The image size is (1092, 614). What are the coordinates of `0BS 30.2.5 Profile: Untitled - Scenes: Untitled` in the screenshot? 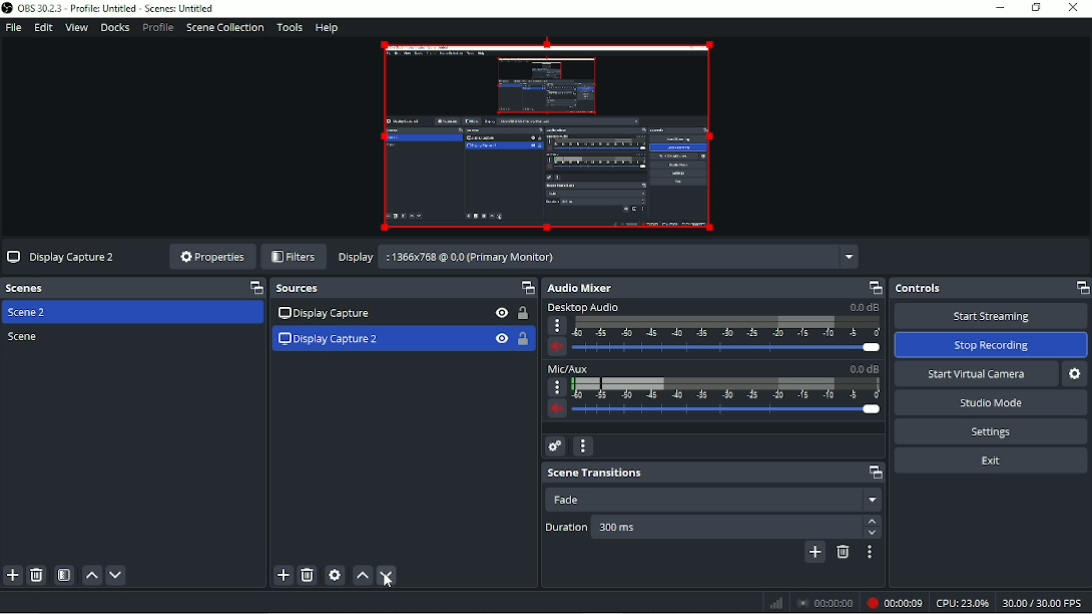 It's located at (116, 8).